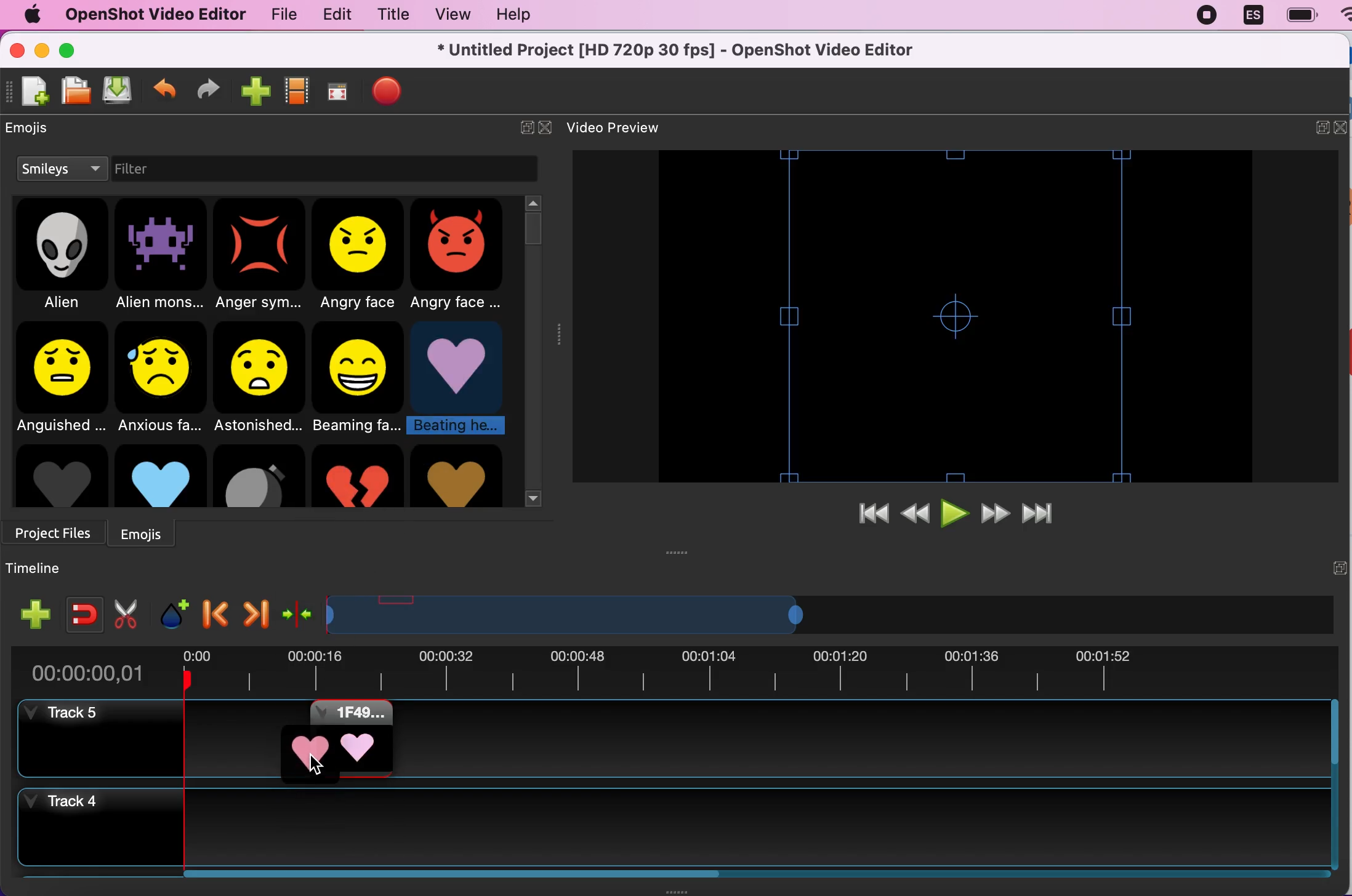  What do you see at coordinates (70, 714) in the screenshot?
I see `track 5` at bounding box center [70, 714].